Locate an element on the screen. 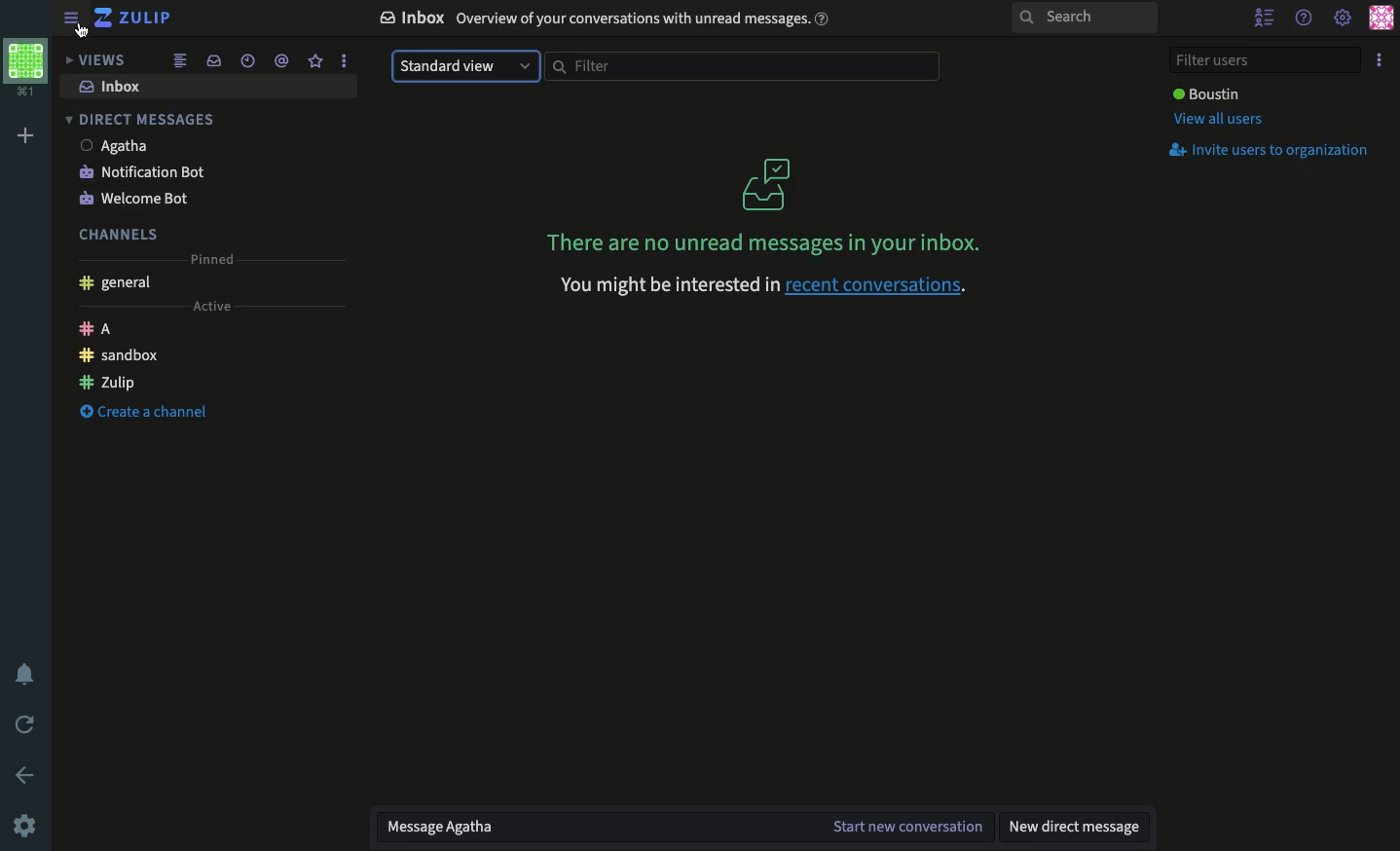 Image resolution: width=1400 pixels, height=851 pixels. Filter is located at coordinates (735, 65).